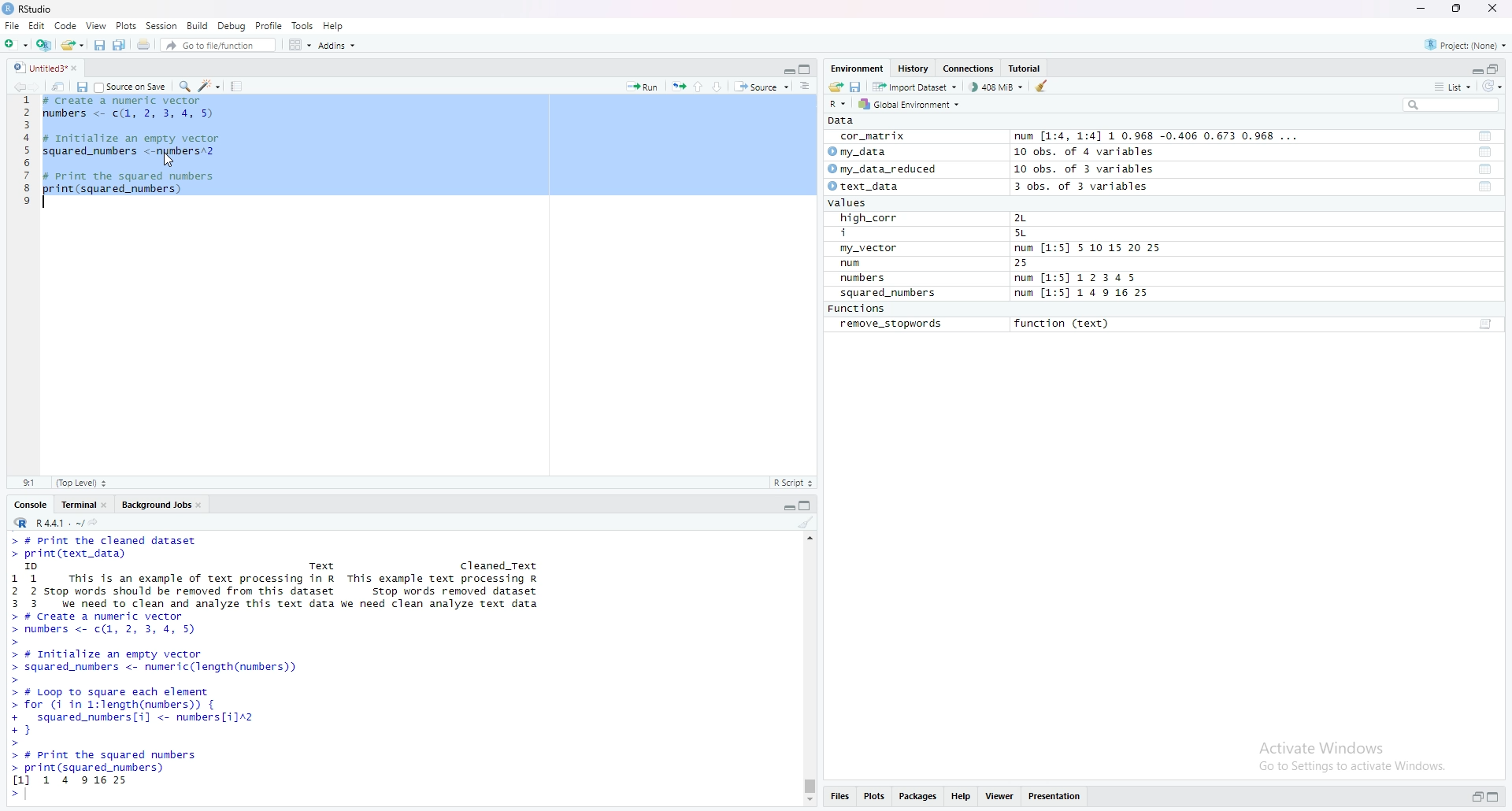 This screenshot has height=811, width=1512. What do you see at coordinates (132, 86) in the screenshot?
I see `Source on save` at bounding box center [132, 86].